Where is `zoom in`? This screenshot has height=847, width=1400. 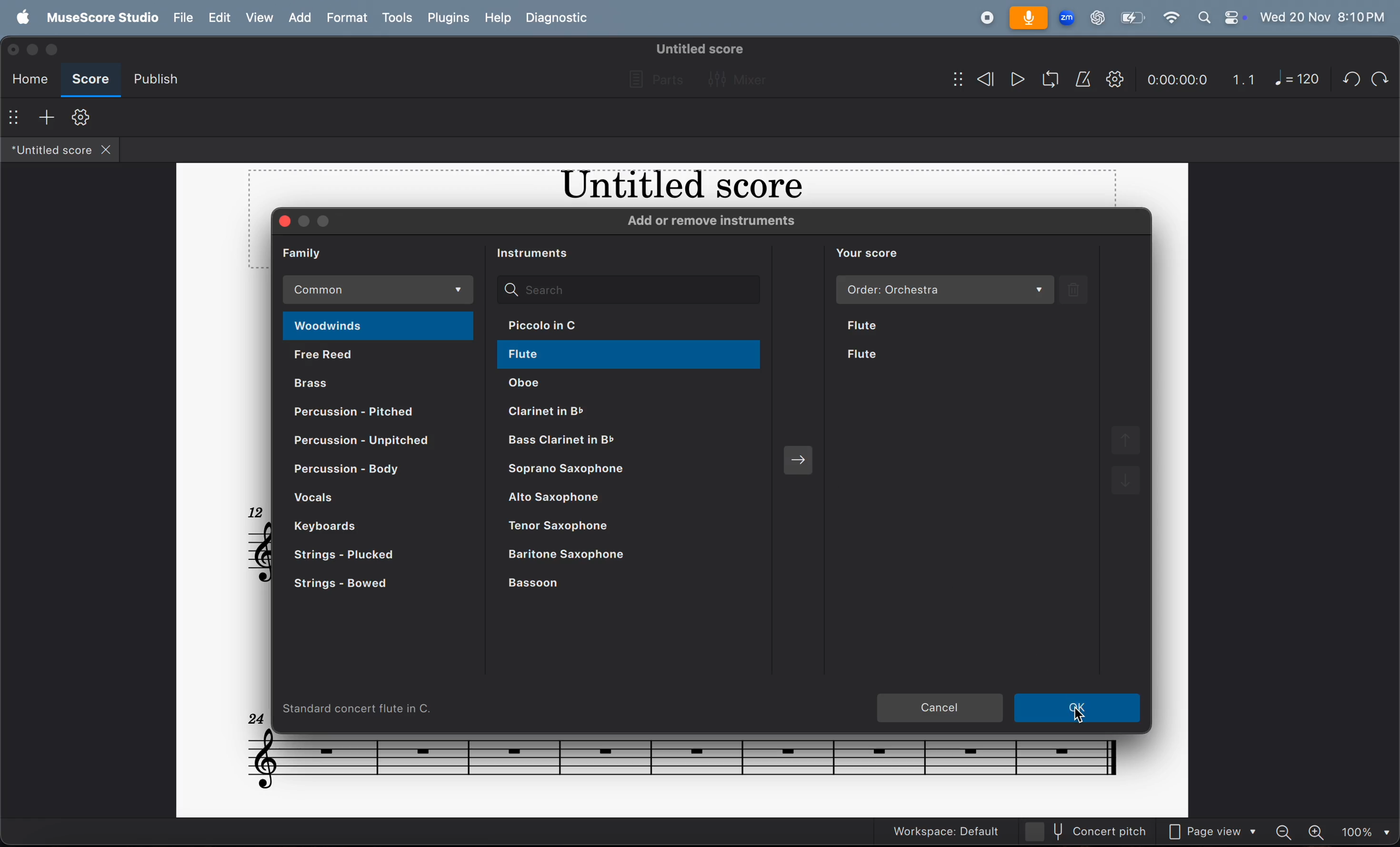
zoom in is located at coordinates (1318, 831).